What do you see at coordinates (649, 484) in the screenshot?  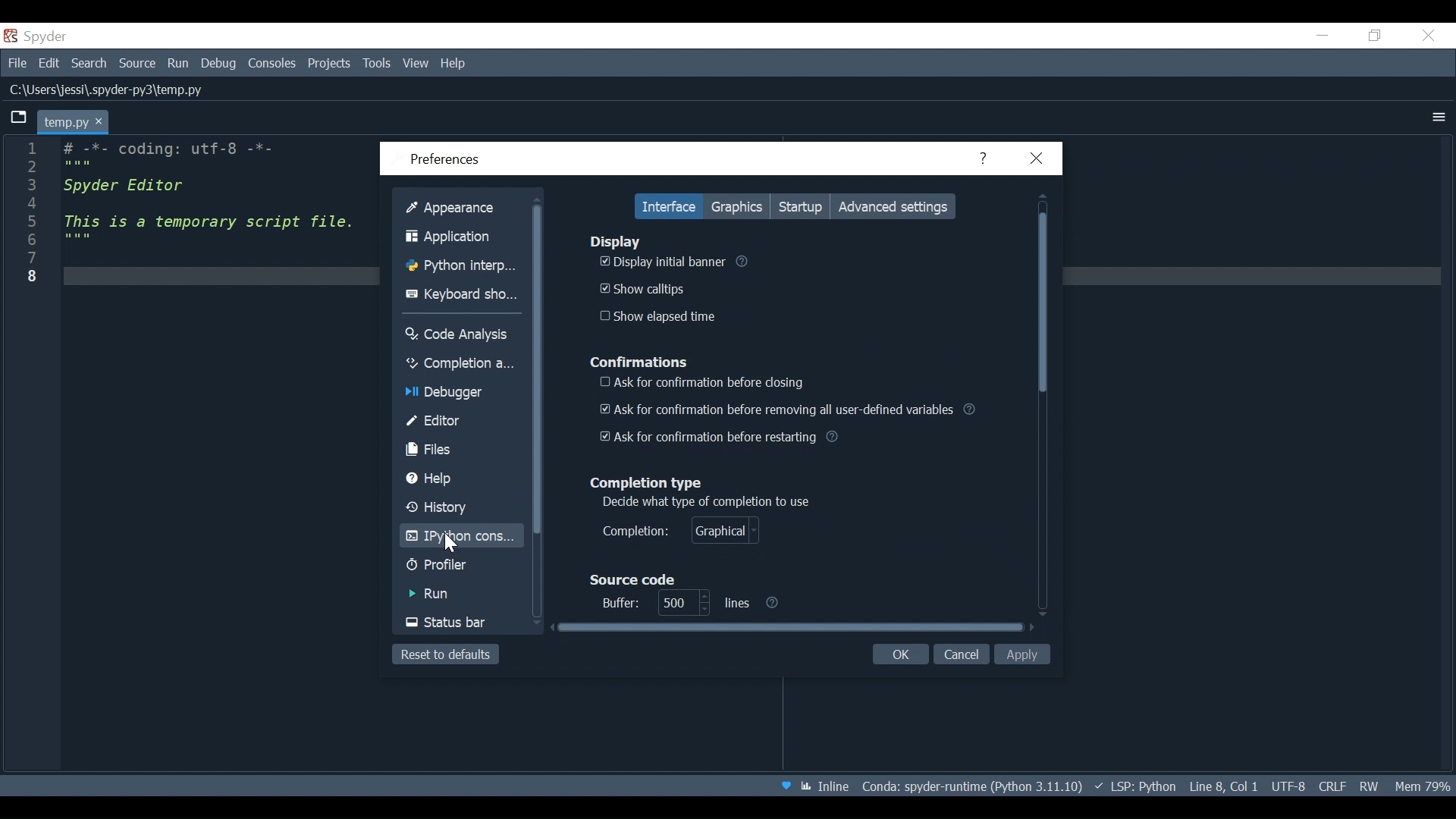 I see `Completion type` at bounding box center [649, 484].